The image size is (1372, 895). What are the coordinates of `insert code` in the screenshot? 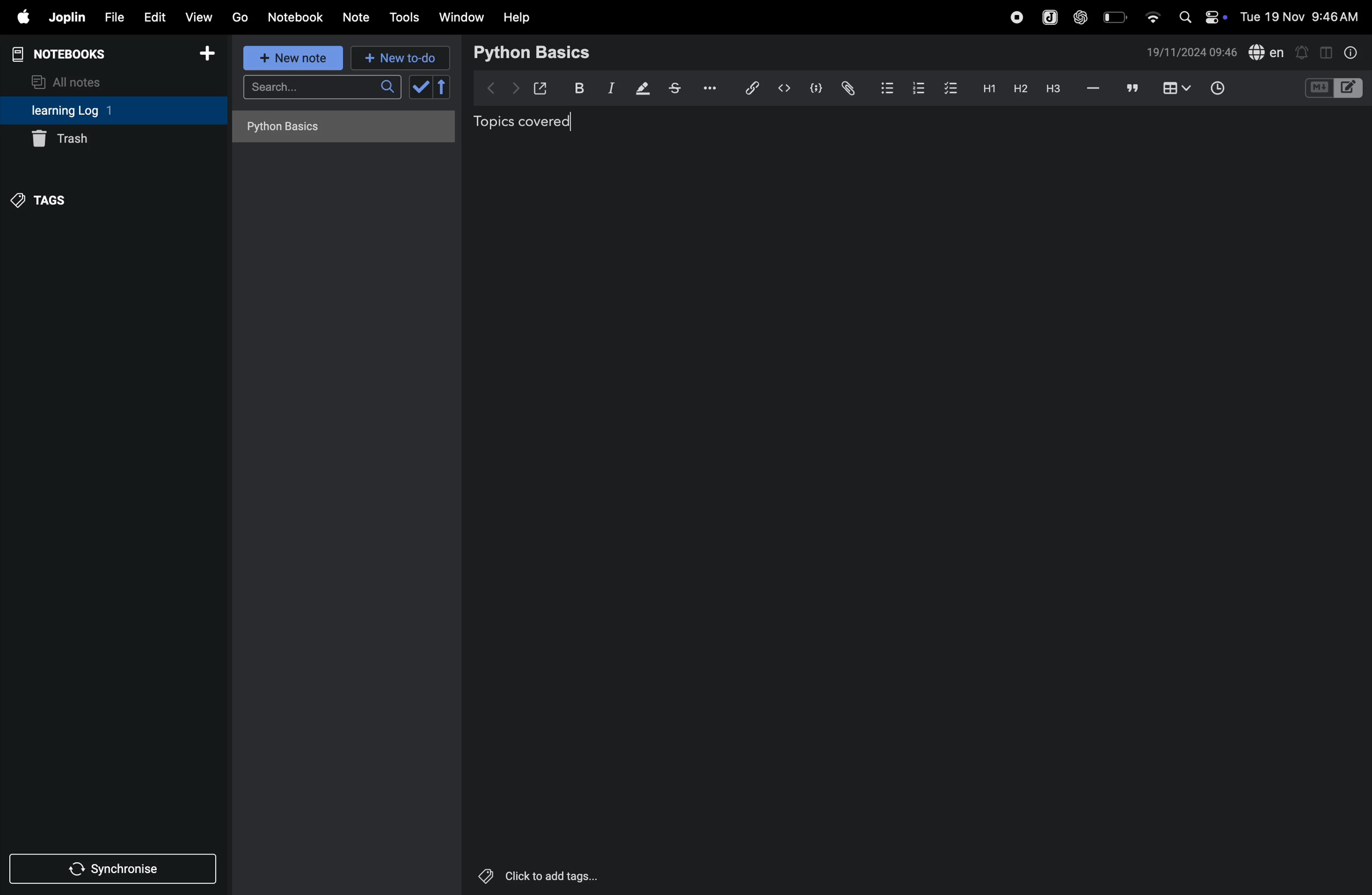 It's located at (785, 88).